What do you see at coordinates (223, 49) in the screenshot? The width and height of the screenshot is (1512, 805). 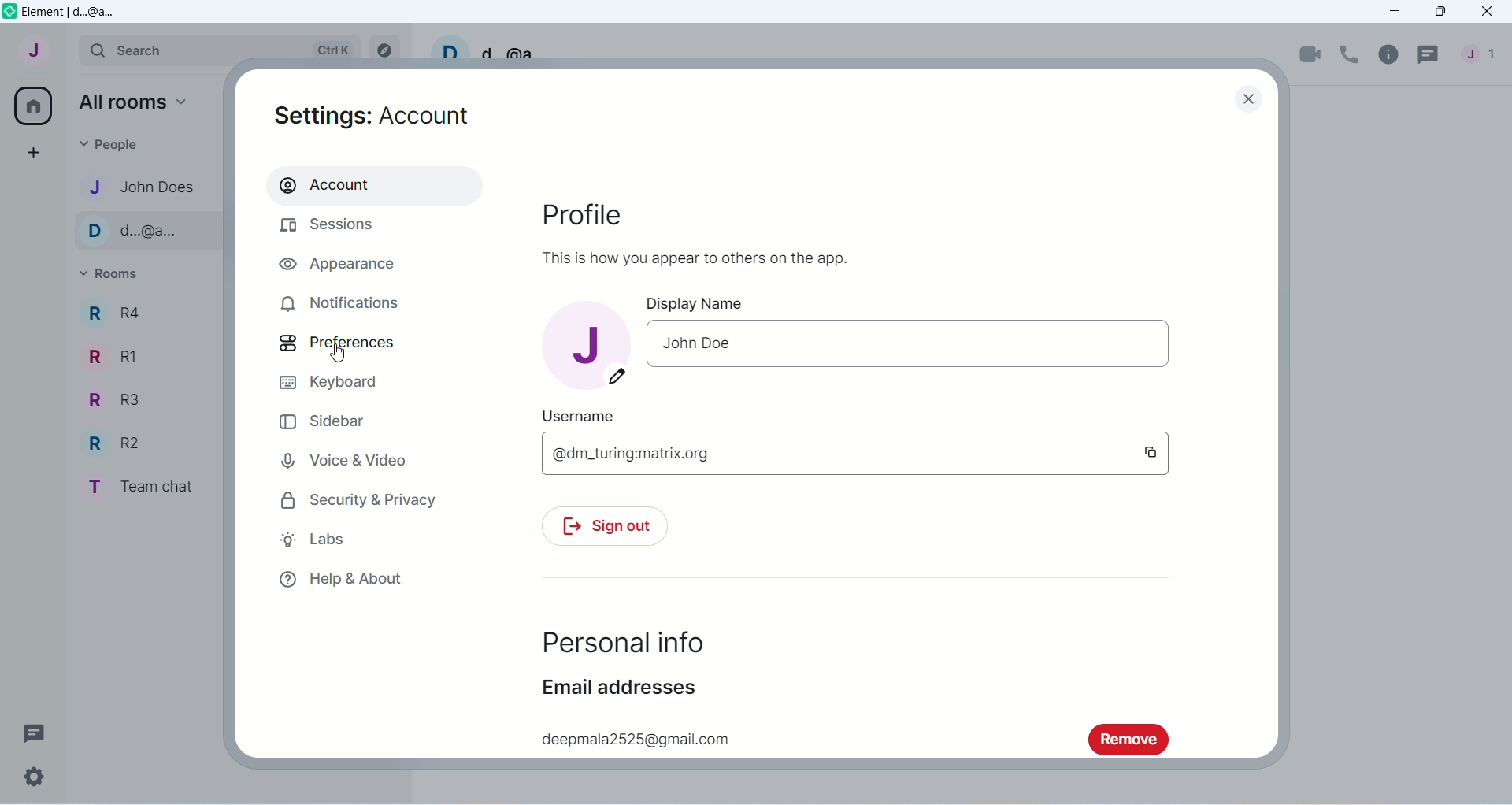 I see `Search bar` at bounding box center [223, 49].